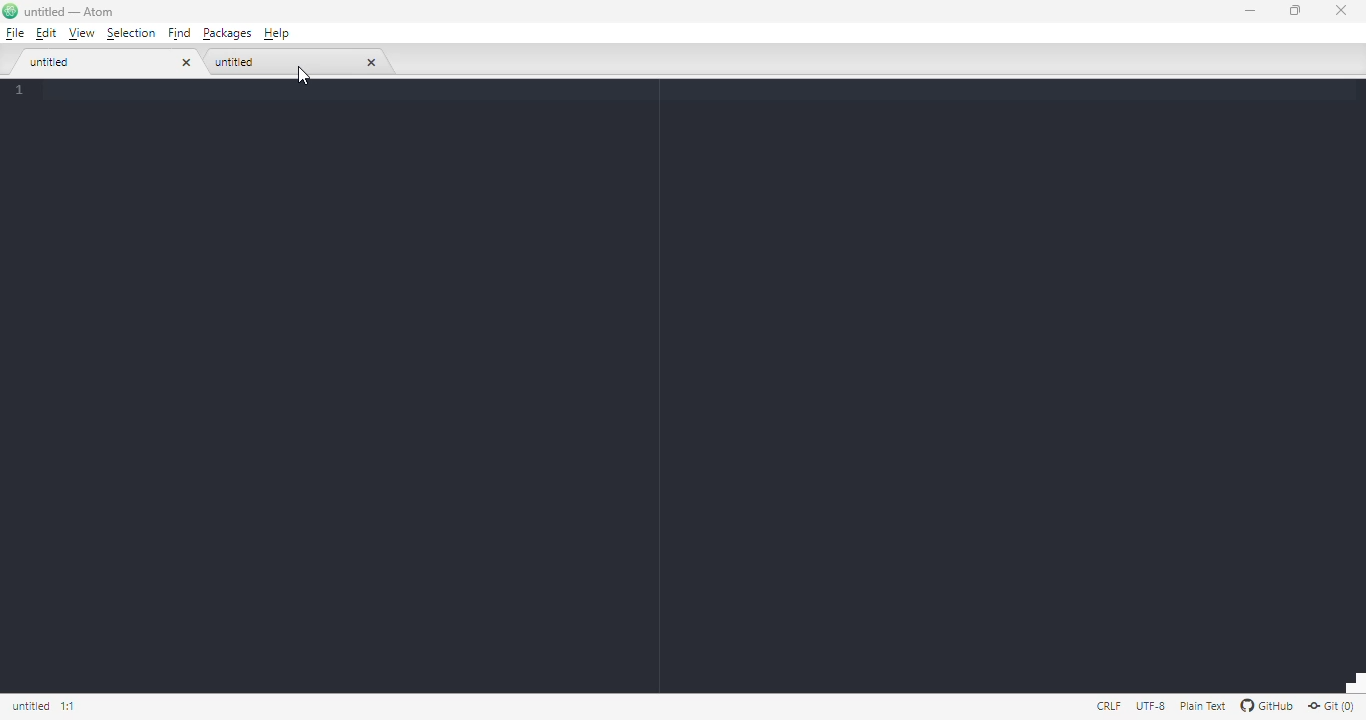  Describe the element at coordinates (227, 34) in the screenshot. I see `packages` at that location.